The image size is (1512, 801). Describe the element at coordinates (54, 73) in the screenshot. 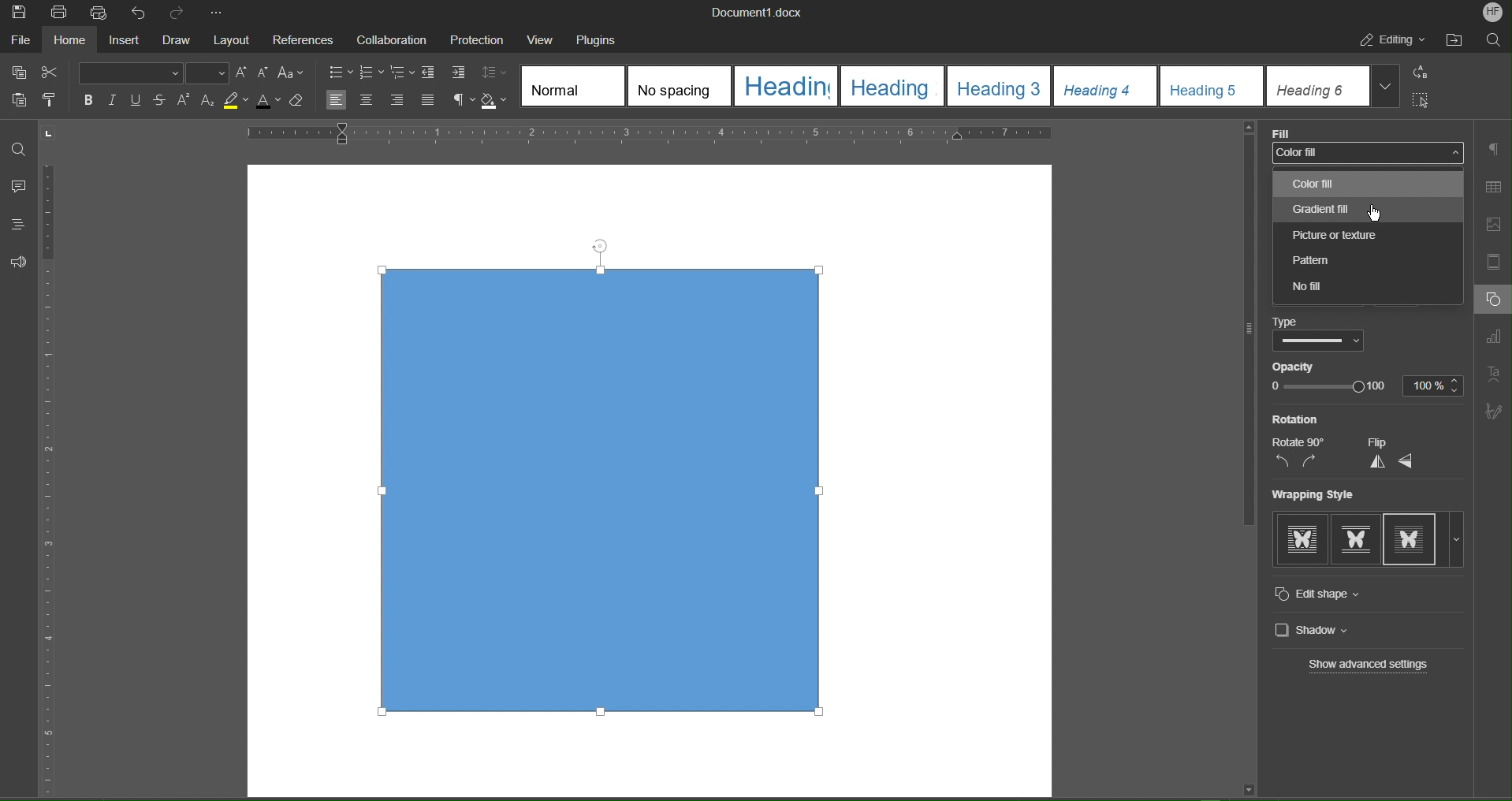

I see `Cut` at that location.